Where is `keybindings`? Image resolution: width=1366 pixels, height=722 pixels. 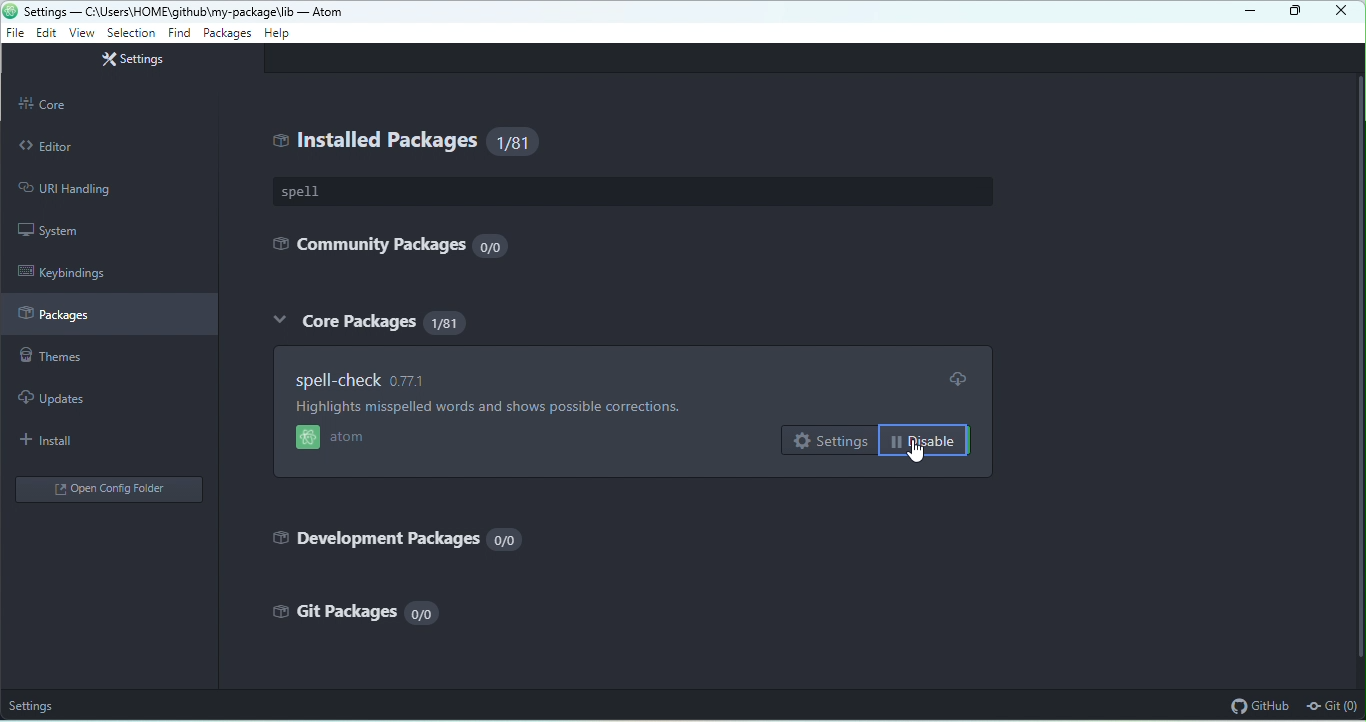 keybindings is located at coordinates (72, 272).